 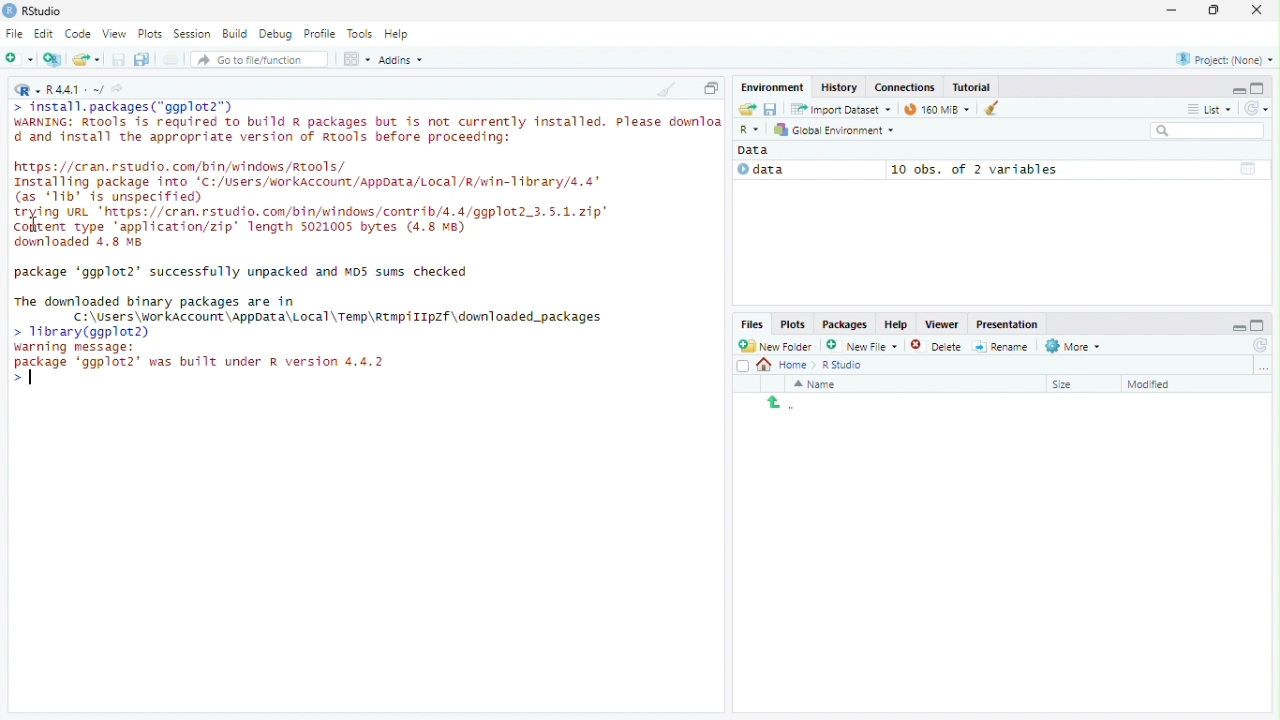 I want to click on Currently selected project - None, so click(x=1223, y=58).